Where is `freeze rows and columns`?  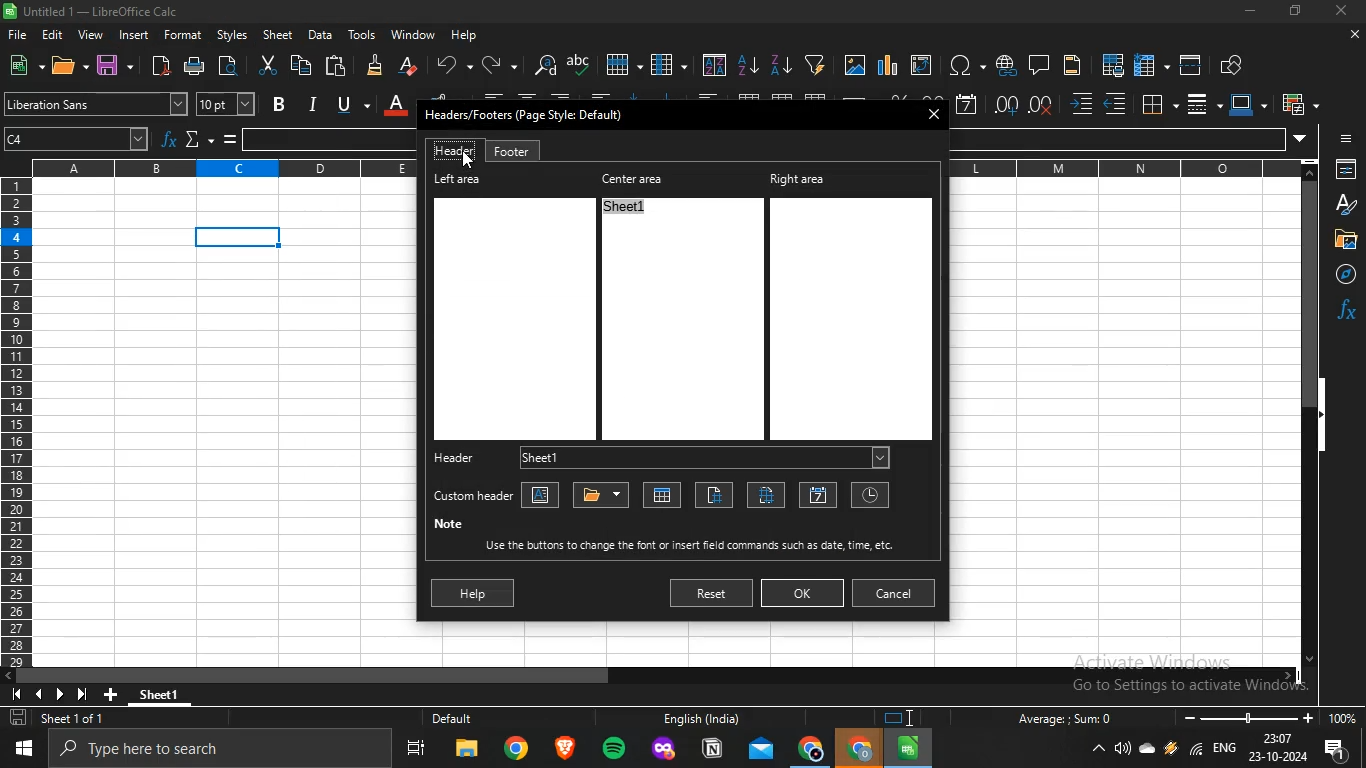 freeze rows and columns is located at coordinates (1146, 64).